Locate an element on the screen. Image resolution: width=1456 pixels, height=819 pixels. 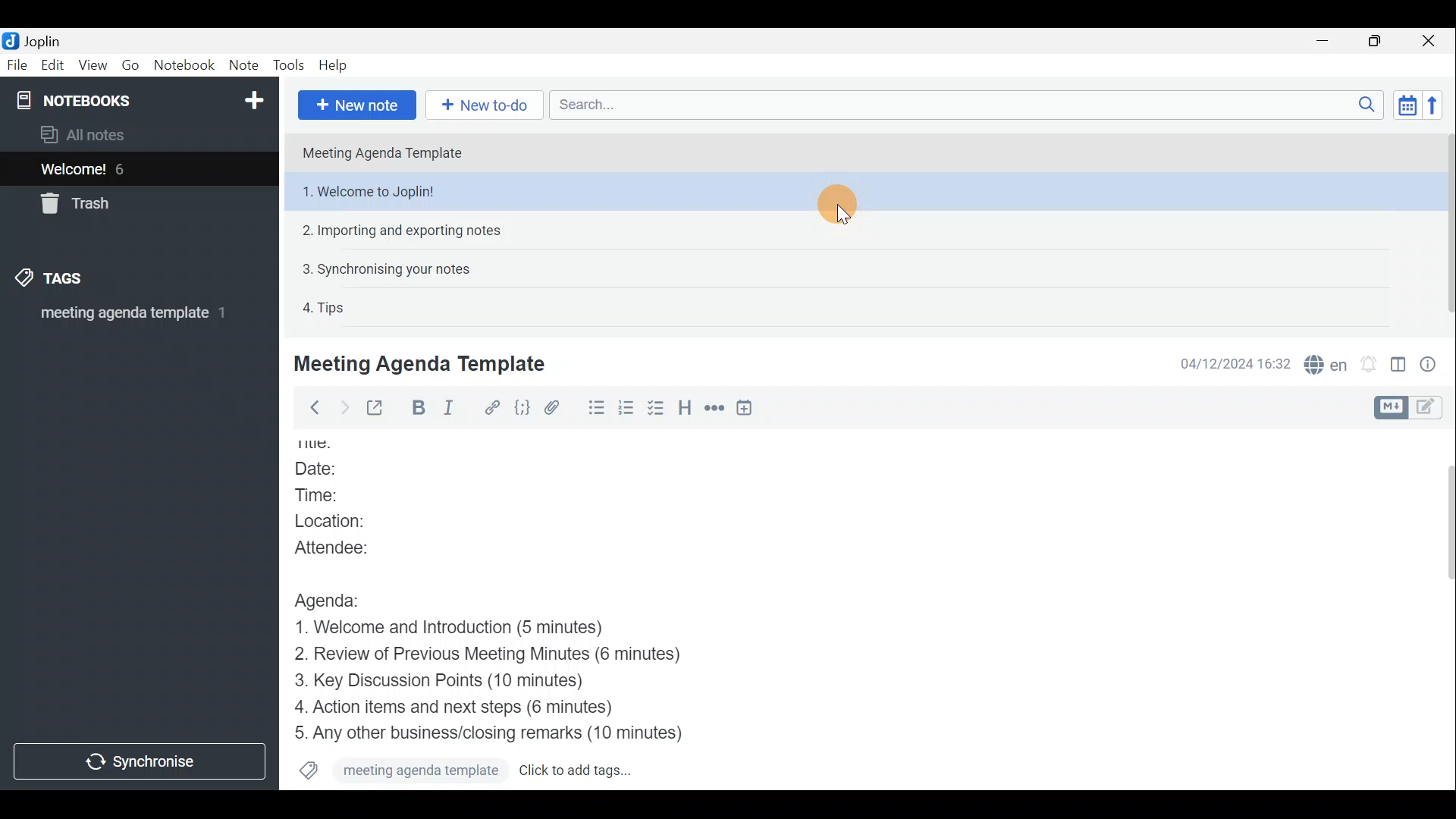
Toggle editors is located at coordinates (1429, 409).